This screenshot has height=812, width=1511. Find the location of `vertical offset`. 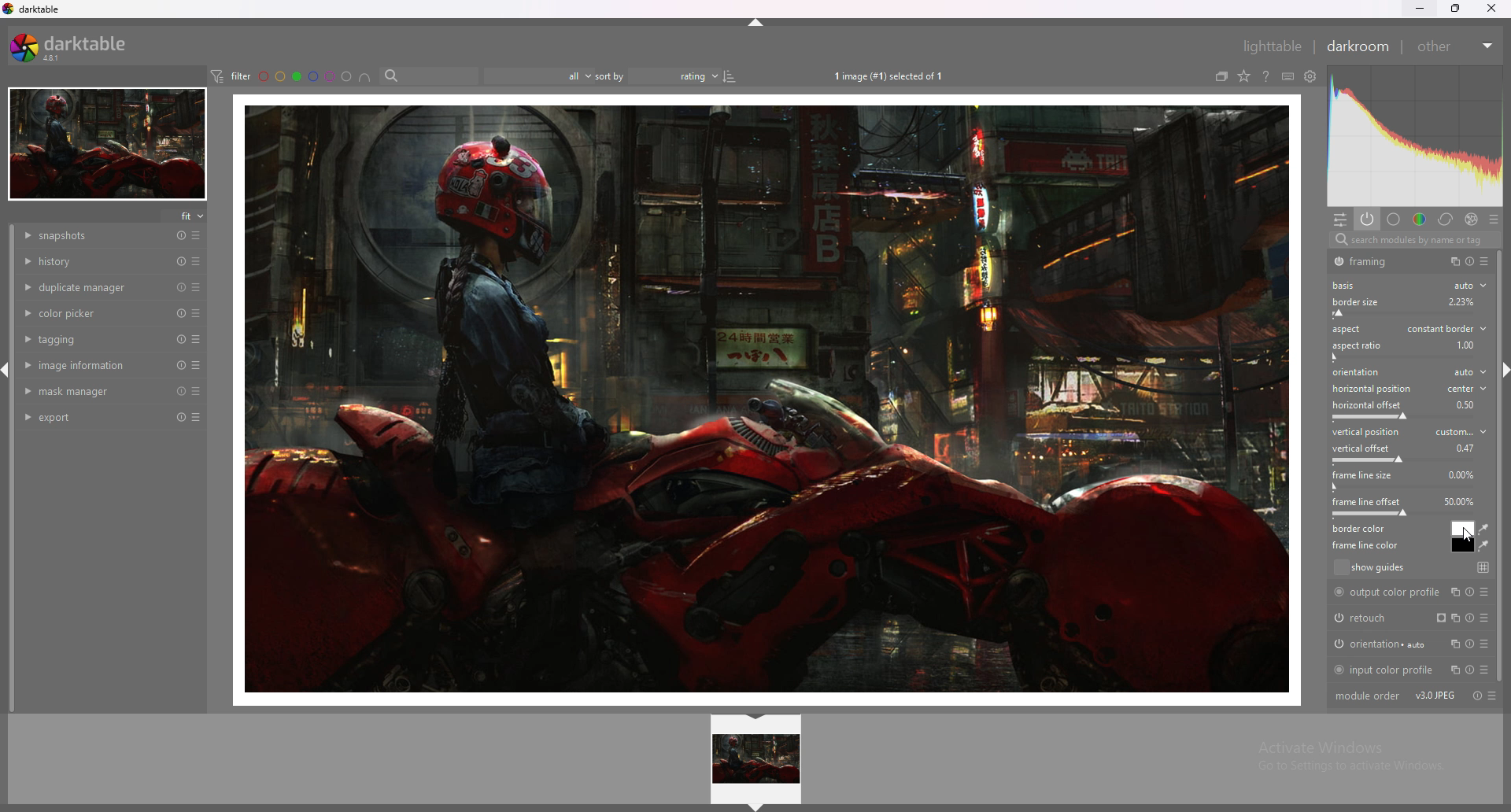

vertical offset is located at coordinates (1364, 448).